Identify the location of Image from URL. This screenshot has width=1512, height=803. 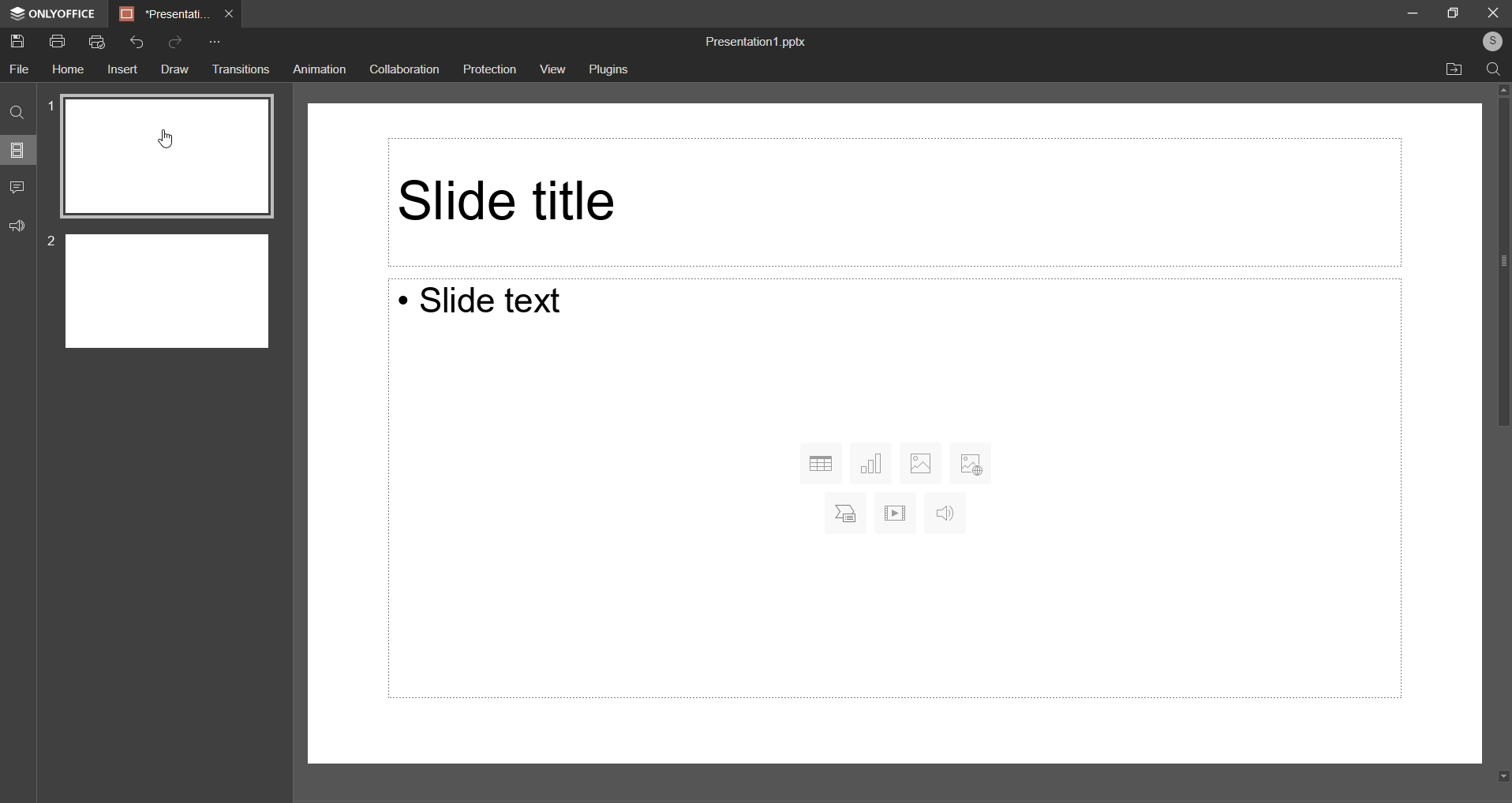
(971, 461).